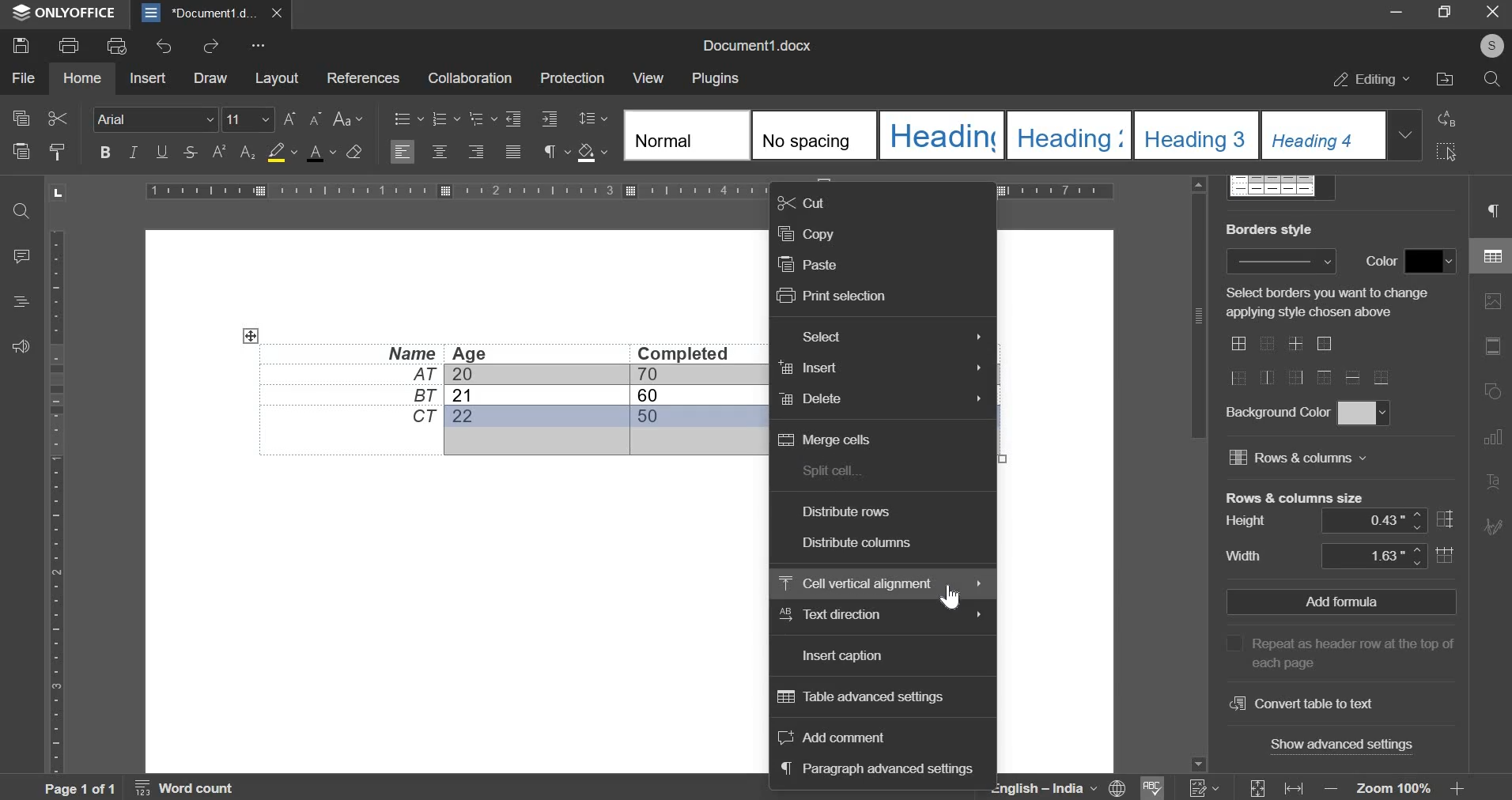 This screenshot has width=1512, height=800. I want to click on text direction, so click(836, 614).